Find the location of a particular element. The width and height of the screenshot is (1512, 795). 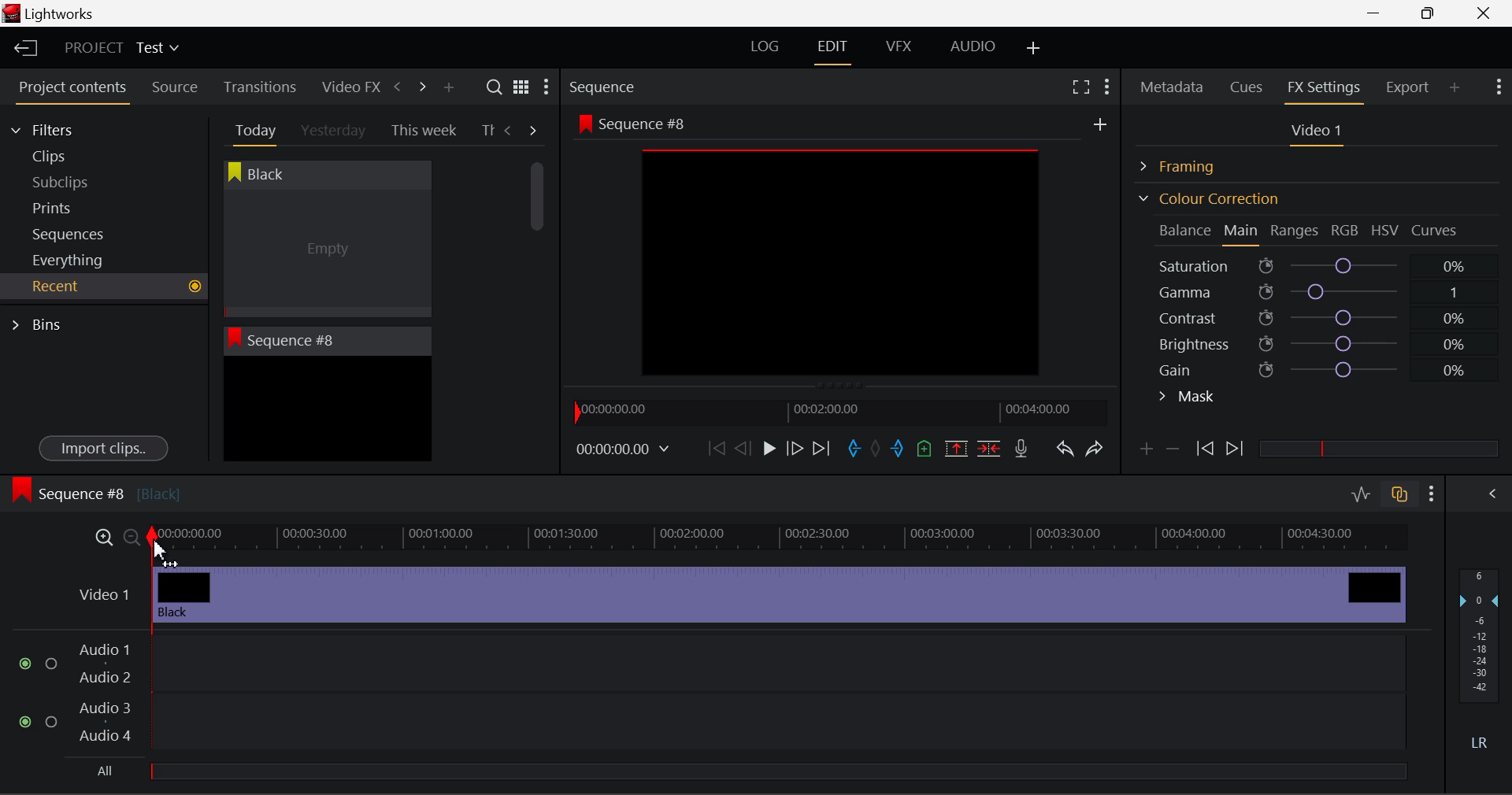

Frame Time is located at coordinates (624, 450).